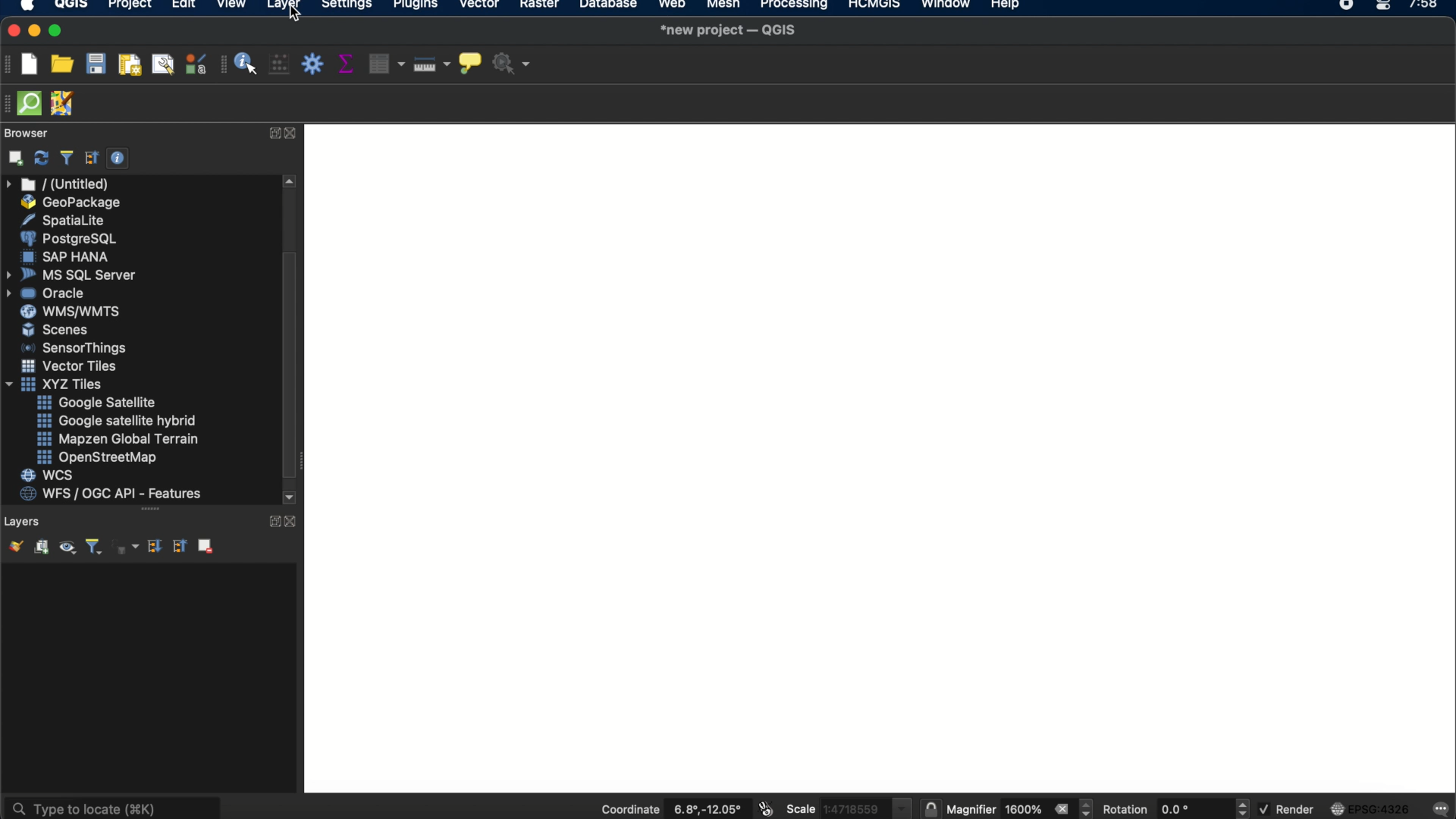 The image size is (1456, 819). I want to click on scroll up arrow, so click(290, 180).